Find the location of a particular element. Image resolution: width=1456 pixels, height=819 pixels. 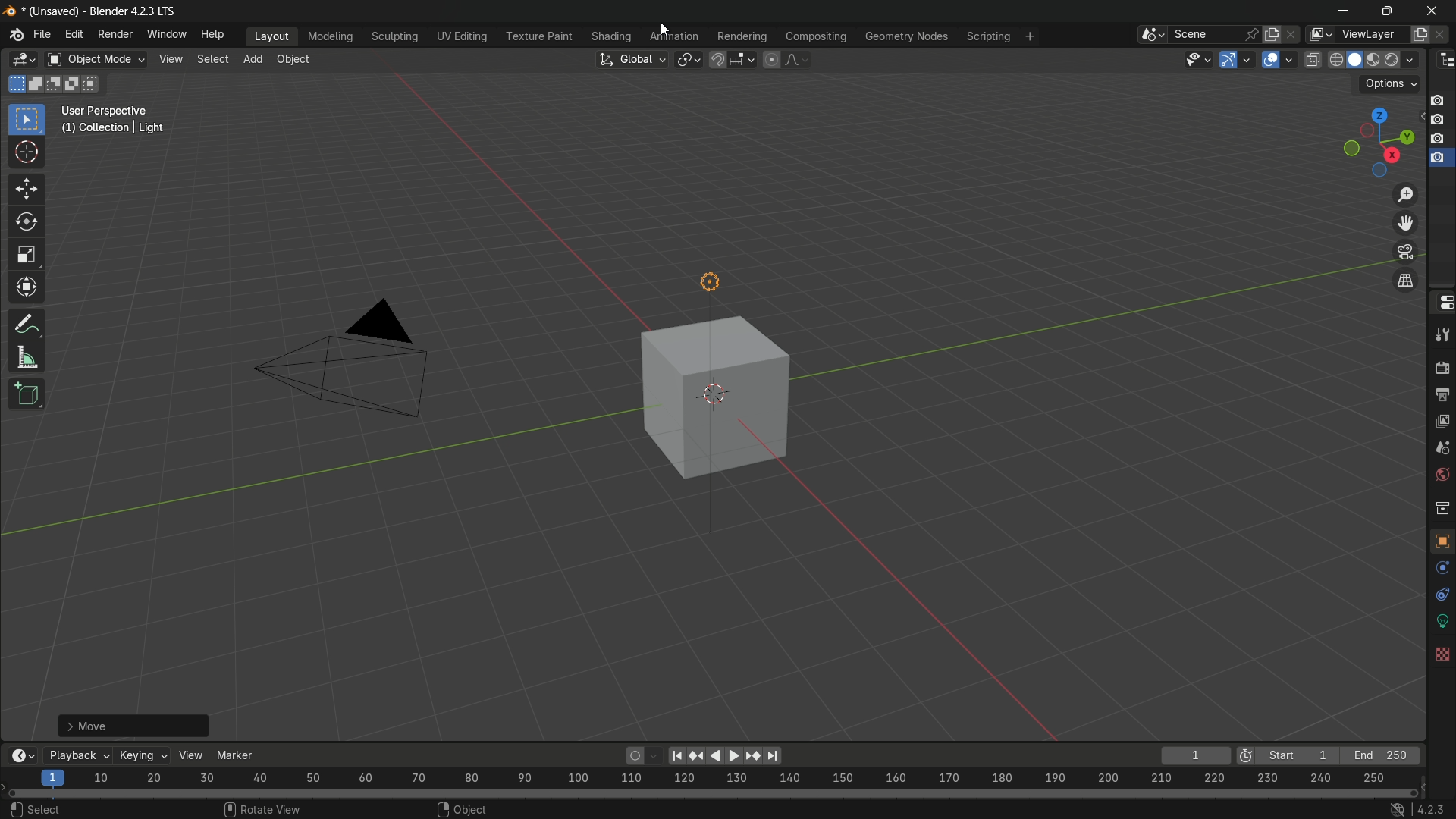

file menu is located at coordinates (42, 36).